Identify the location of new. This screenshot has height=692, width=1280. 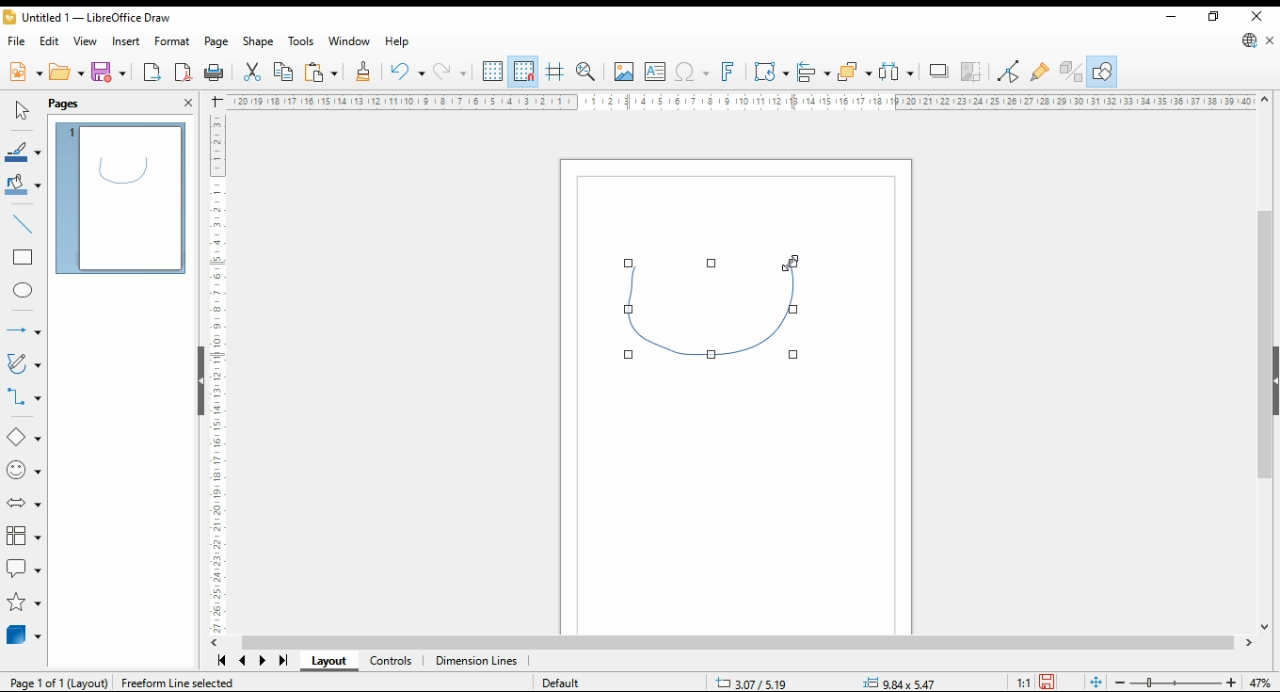
(25, 73).